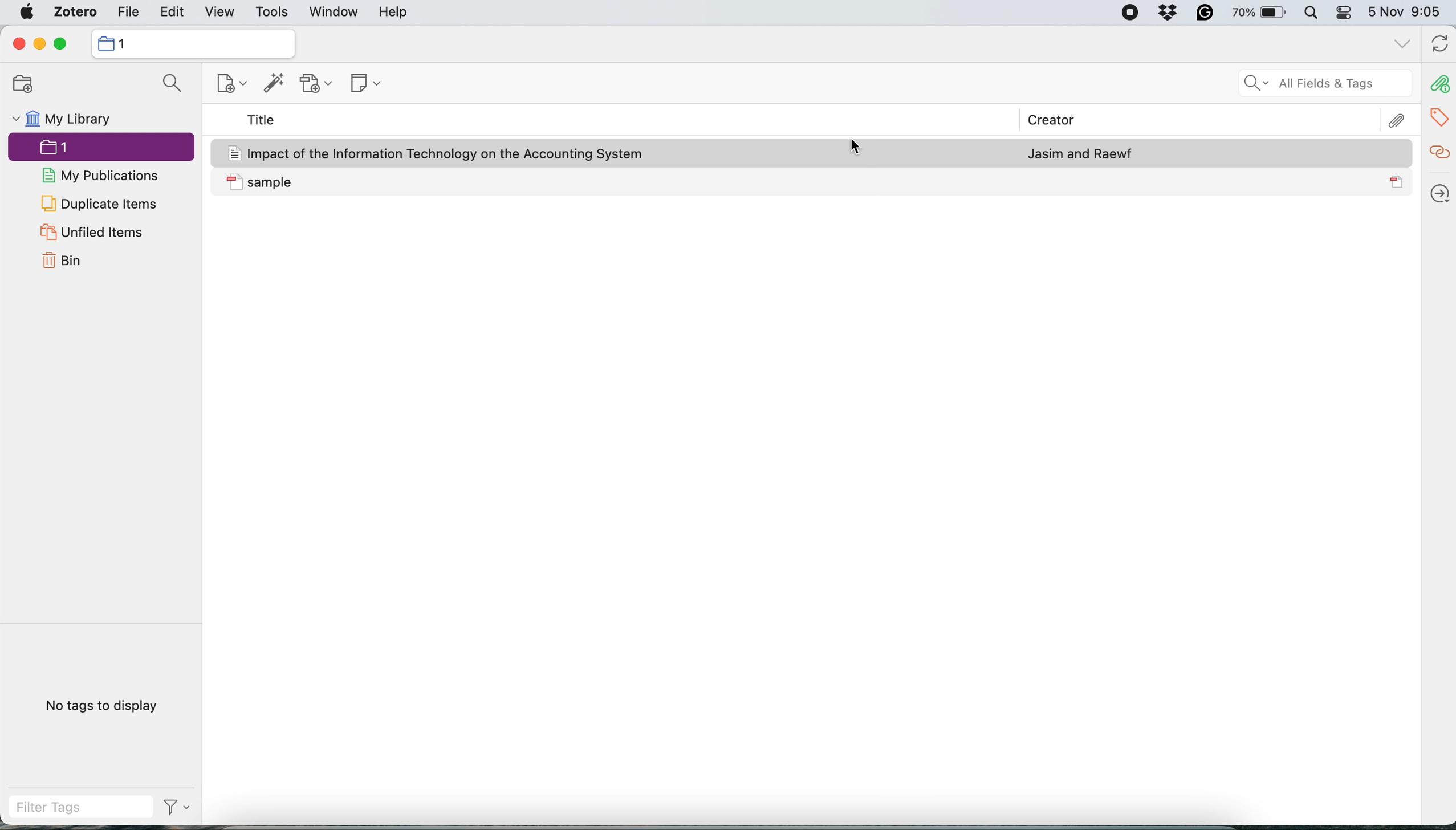 The height and width of the screenshot is (830, 1456). I want to click on locate, so click(1438, 189).